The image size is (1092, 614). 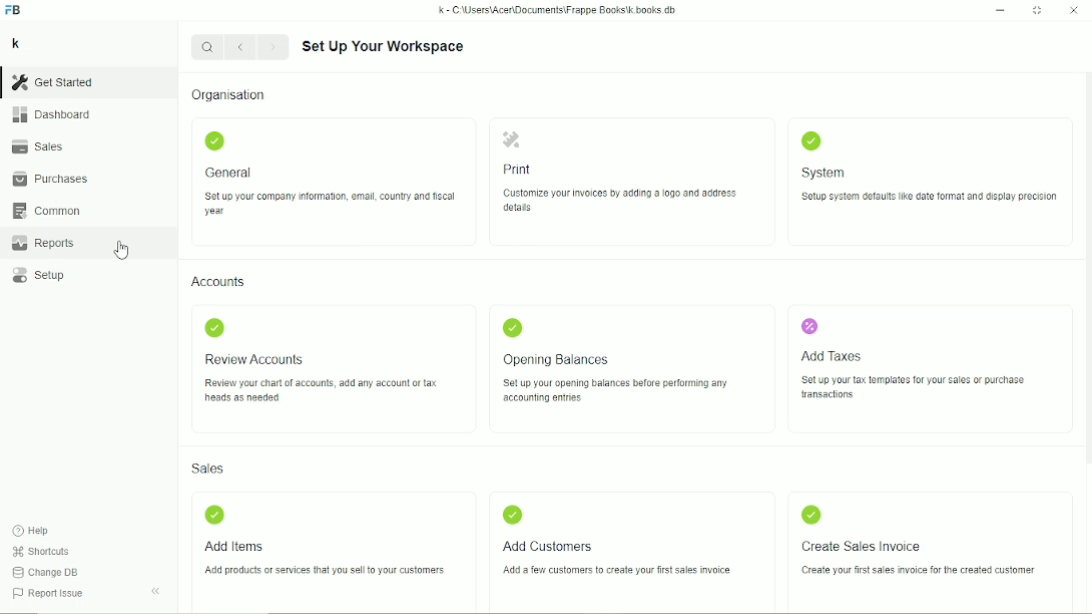 I want to click on Change DB, so click(x=46, y=572).